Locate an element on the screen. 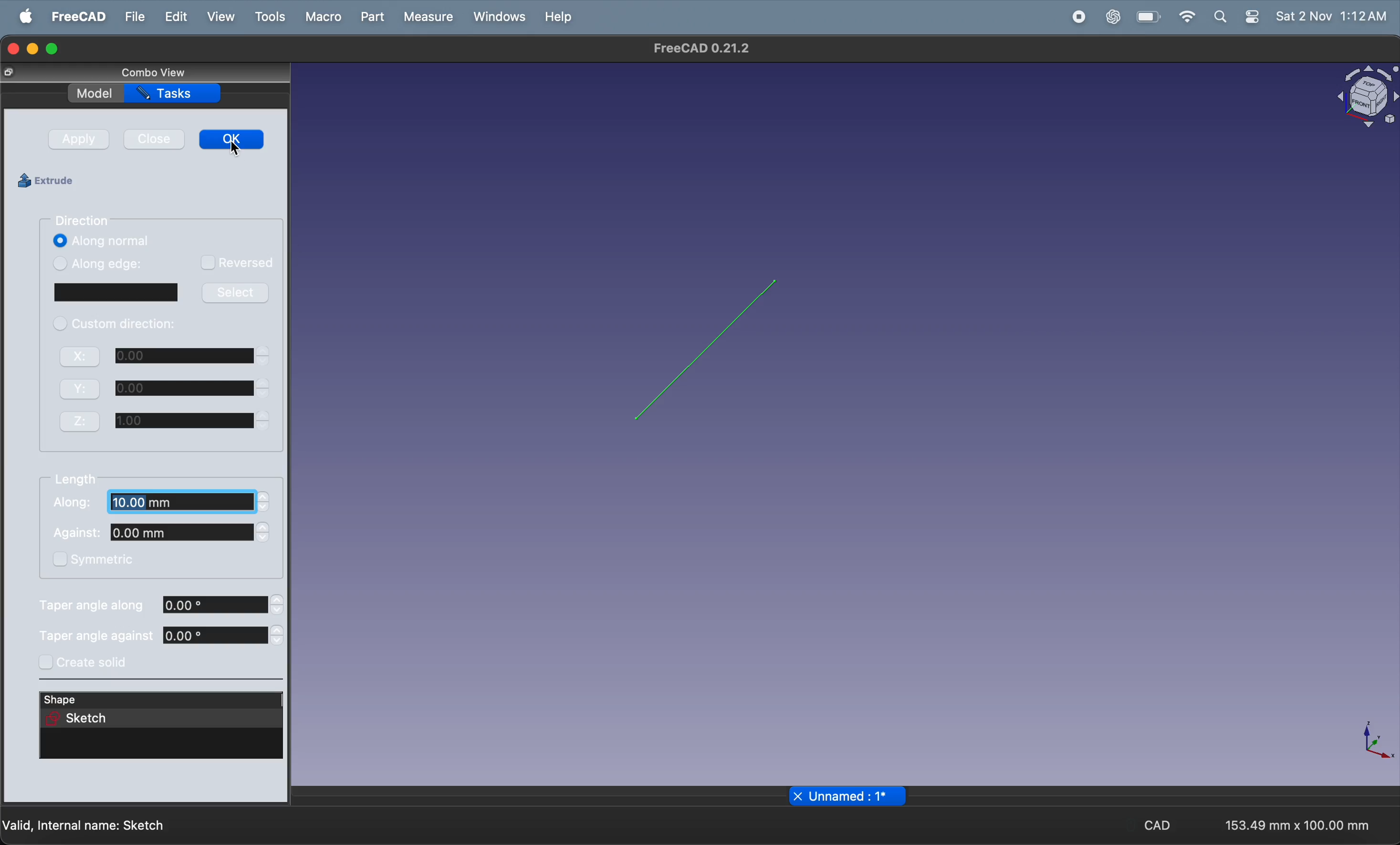 Image resolution: width=1400 pixels, height=845 pixels. along normal is located at coordinates (105, 242).